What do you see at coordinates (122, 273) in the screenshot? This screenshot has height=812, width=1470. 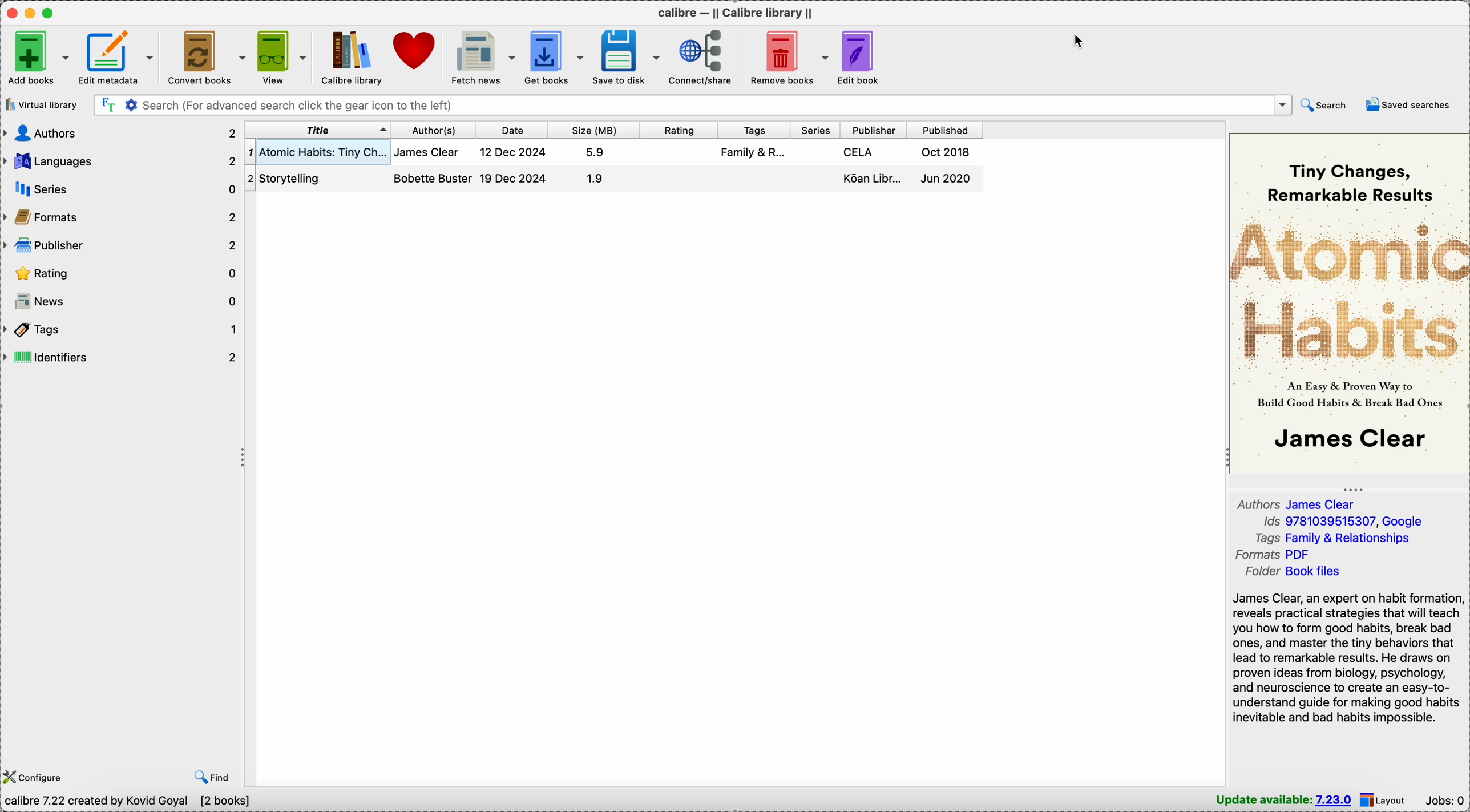 I see `rating` at bounding box center [122, 273].